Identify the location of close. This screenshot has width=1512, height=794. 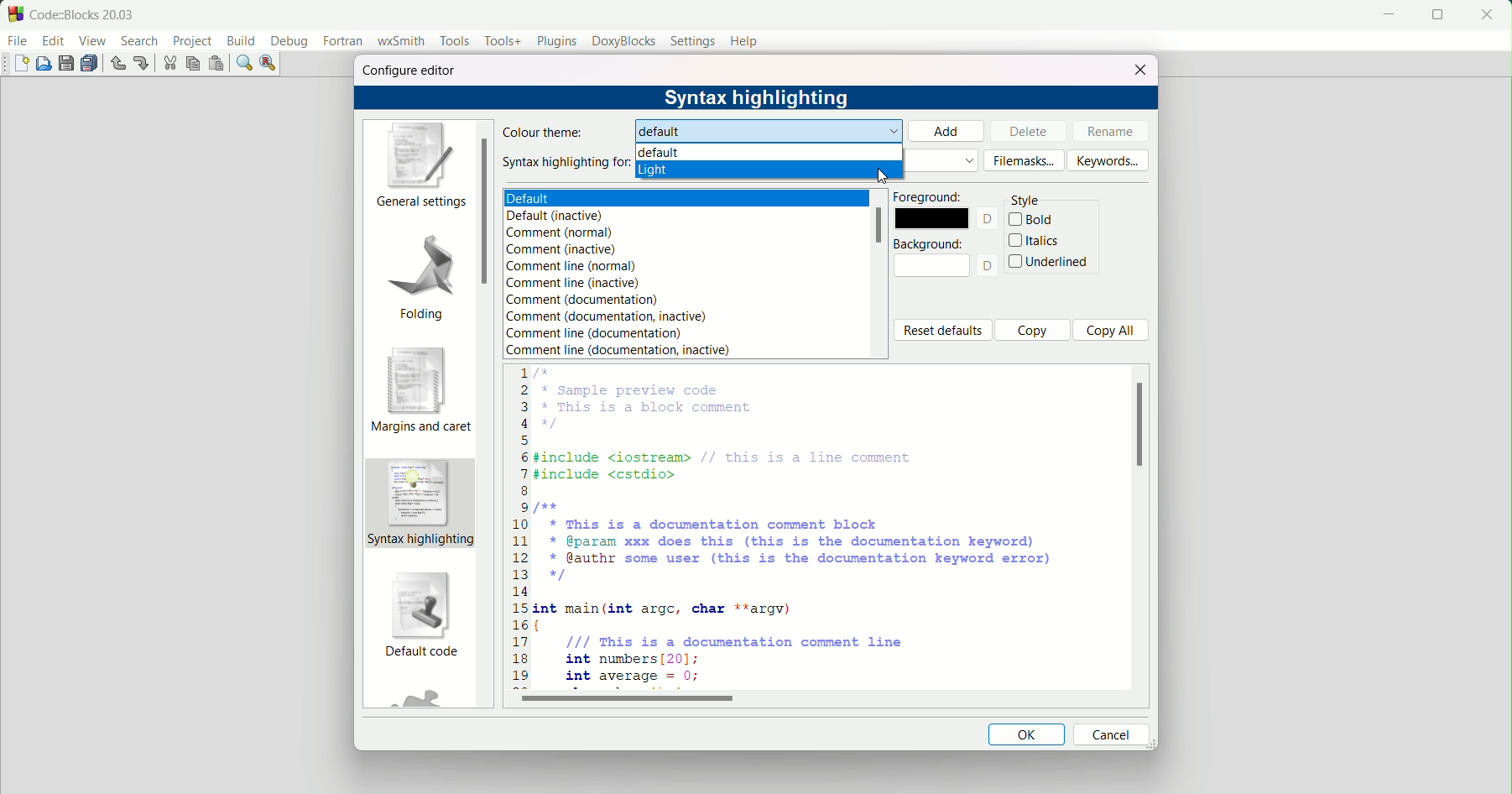
(1137, 71).